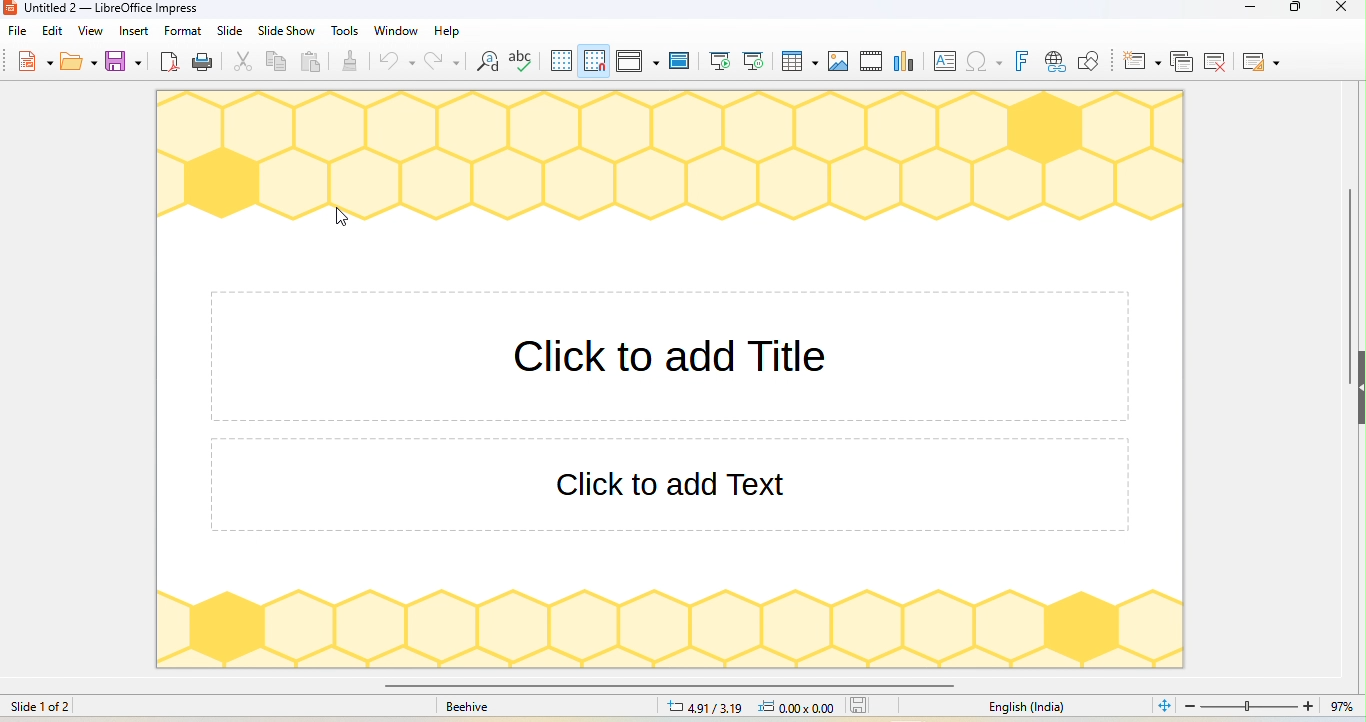 This screenshot has width=1366, height=722. What do you see at coordinates (1298, 10) in the screenshot?
I see `maximize` at bounding box center [1298, 10].